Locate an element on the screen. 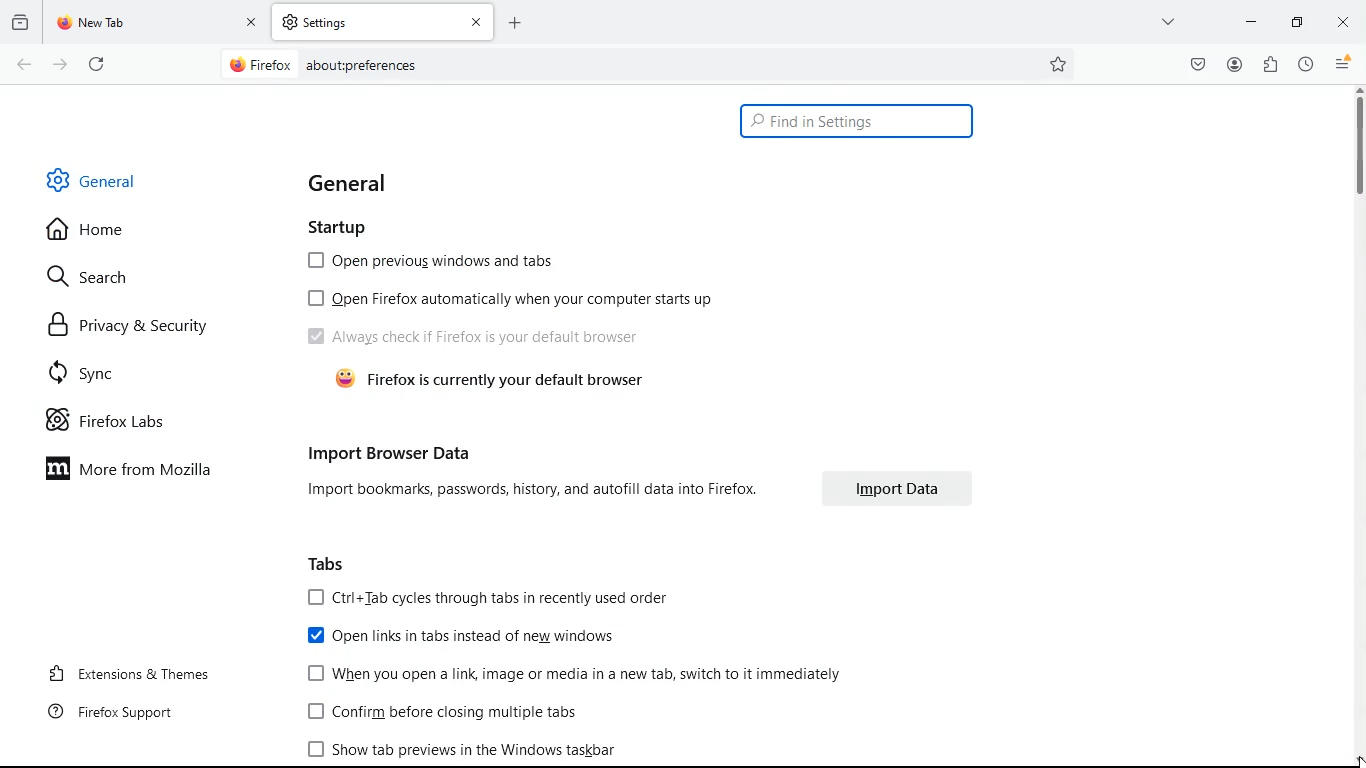 Image resolution: width=1366 pixels, height=768 pixels. tabs is located at coordinates (329, 562).